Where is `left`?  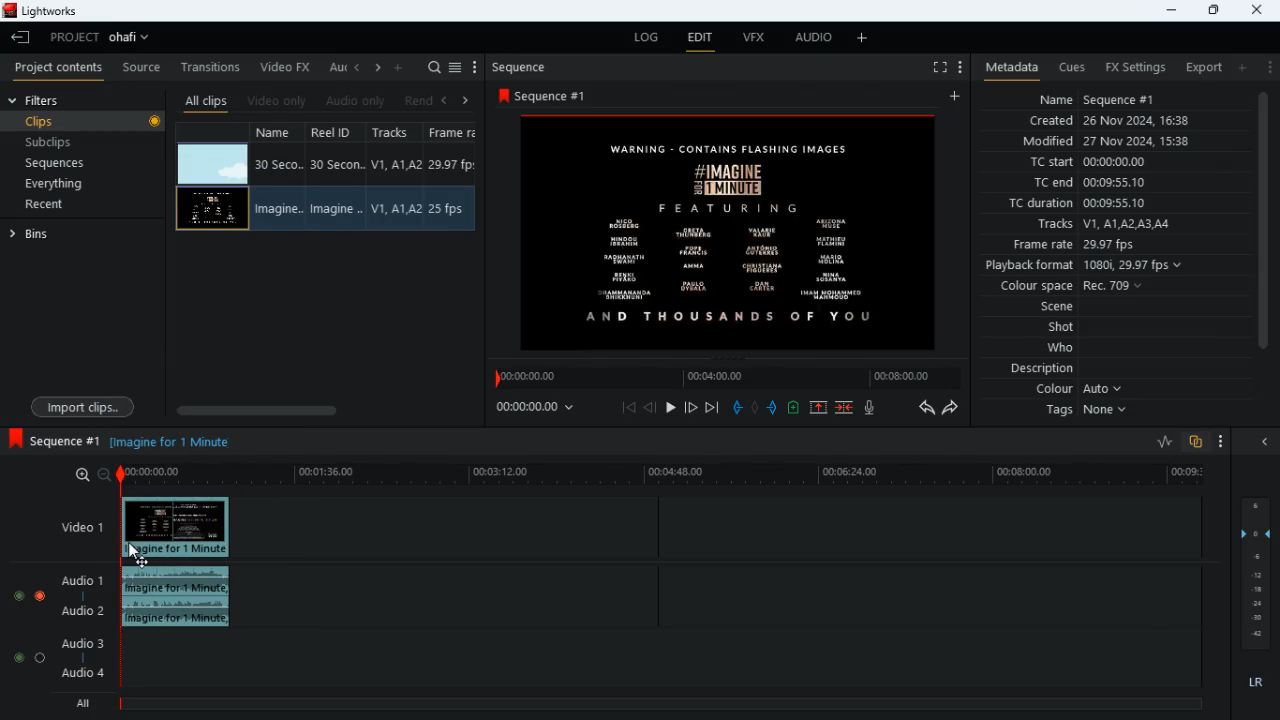 left is located at coordinates (447, 100).